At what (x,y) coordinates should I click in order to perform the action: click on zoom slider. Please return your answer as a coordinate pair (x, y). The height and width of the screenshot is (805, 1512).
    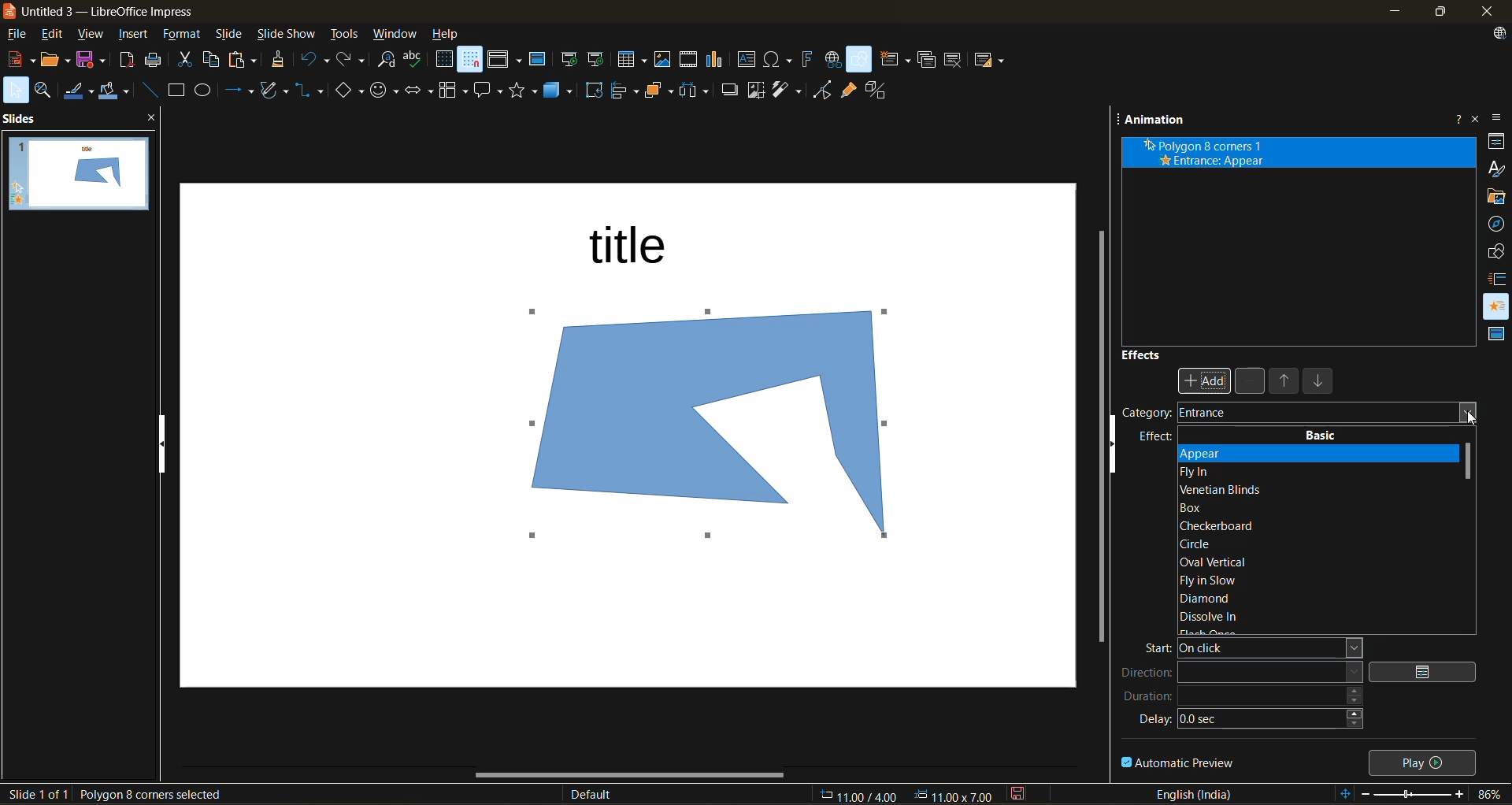
    Looking at the image, I should click on (1412, 792).